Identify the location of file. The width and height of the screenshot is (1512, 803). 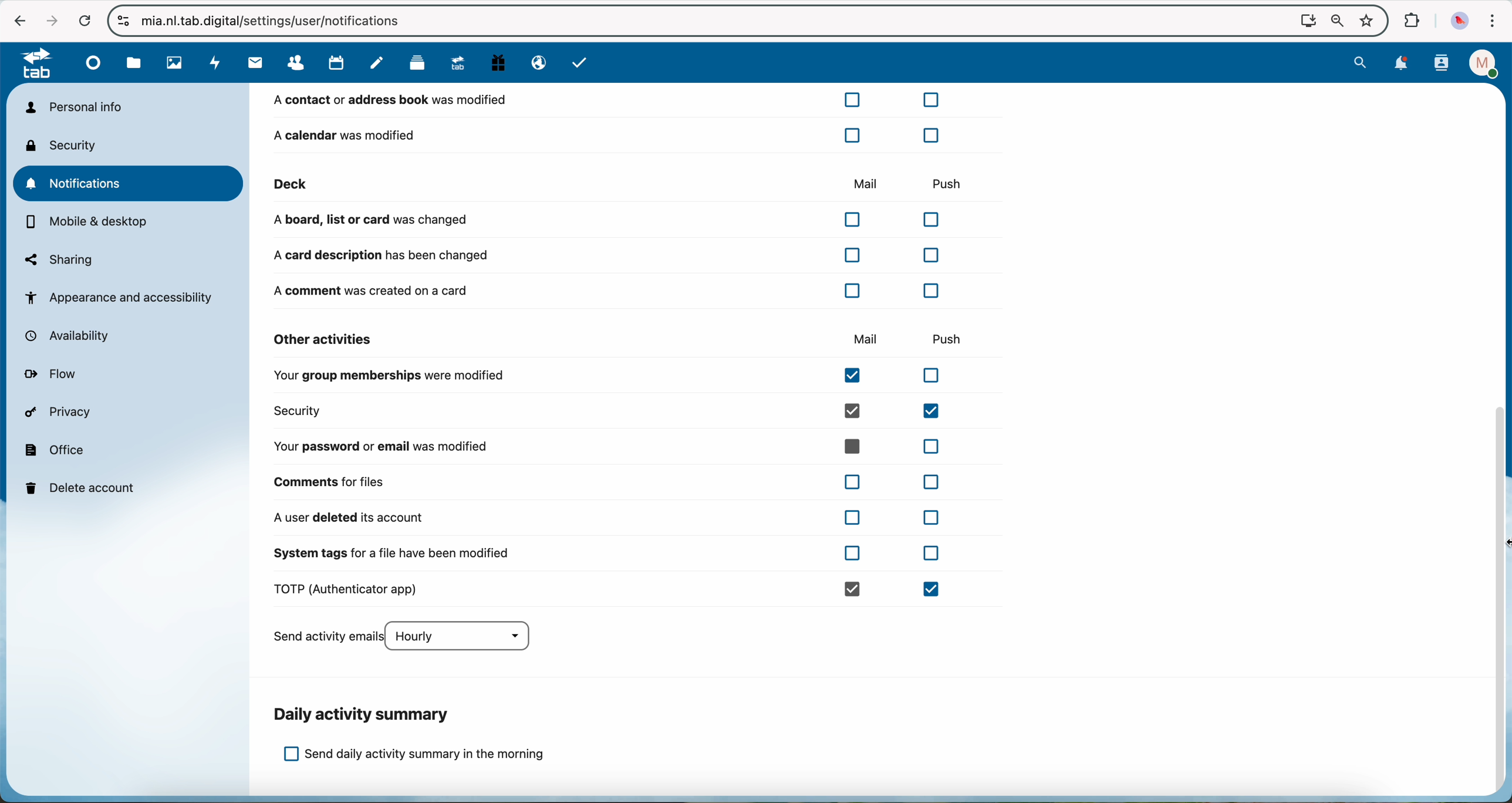
(134, 63).